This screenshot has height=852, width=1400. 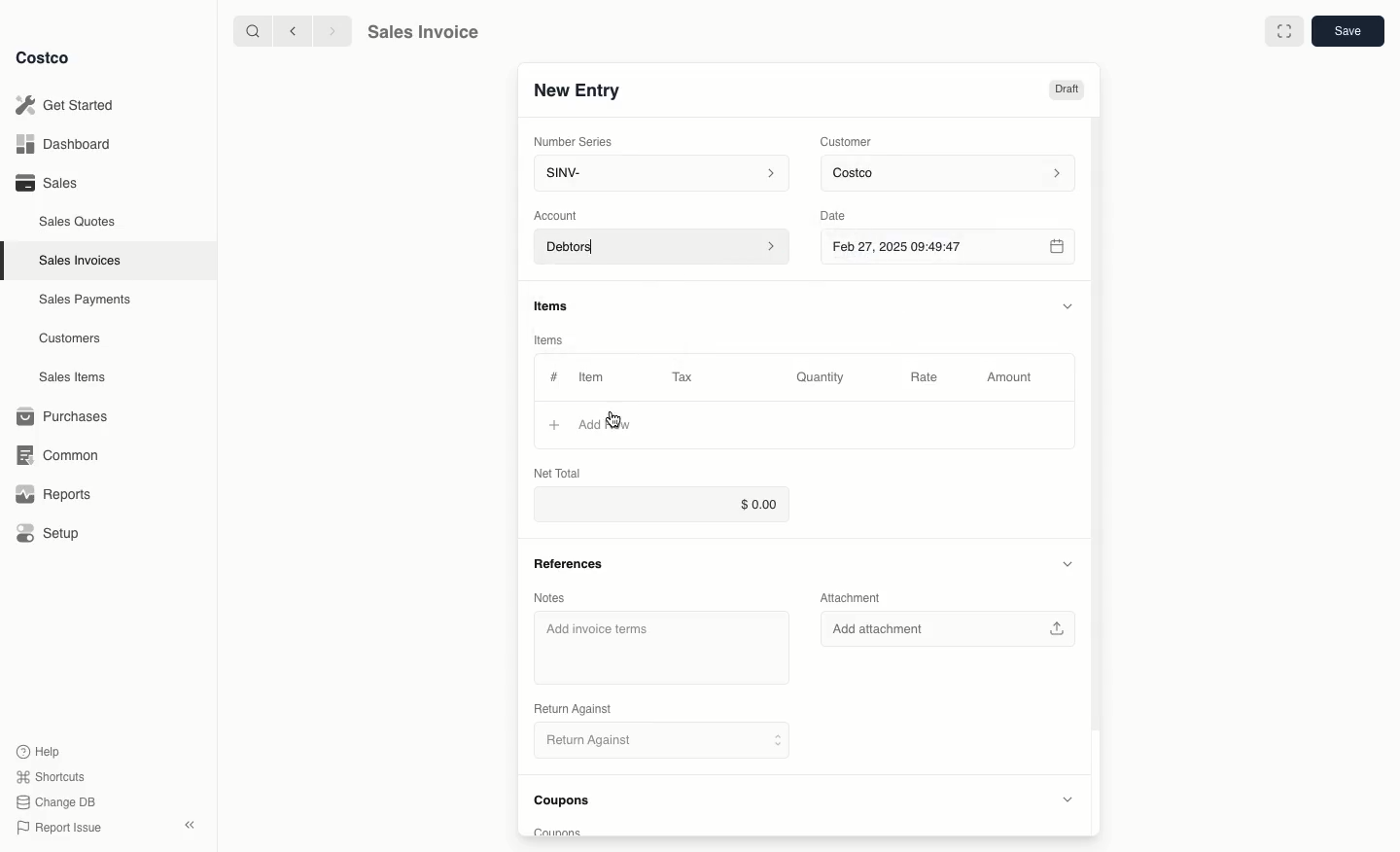 I want to click on Customers, so click(x=73, y=338).